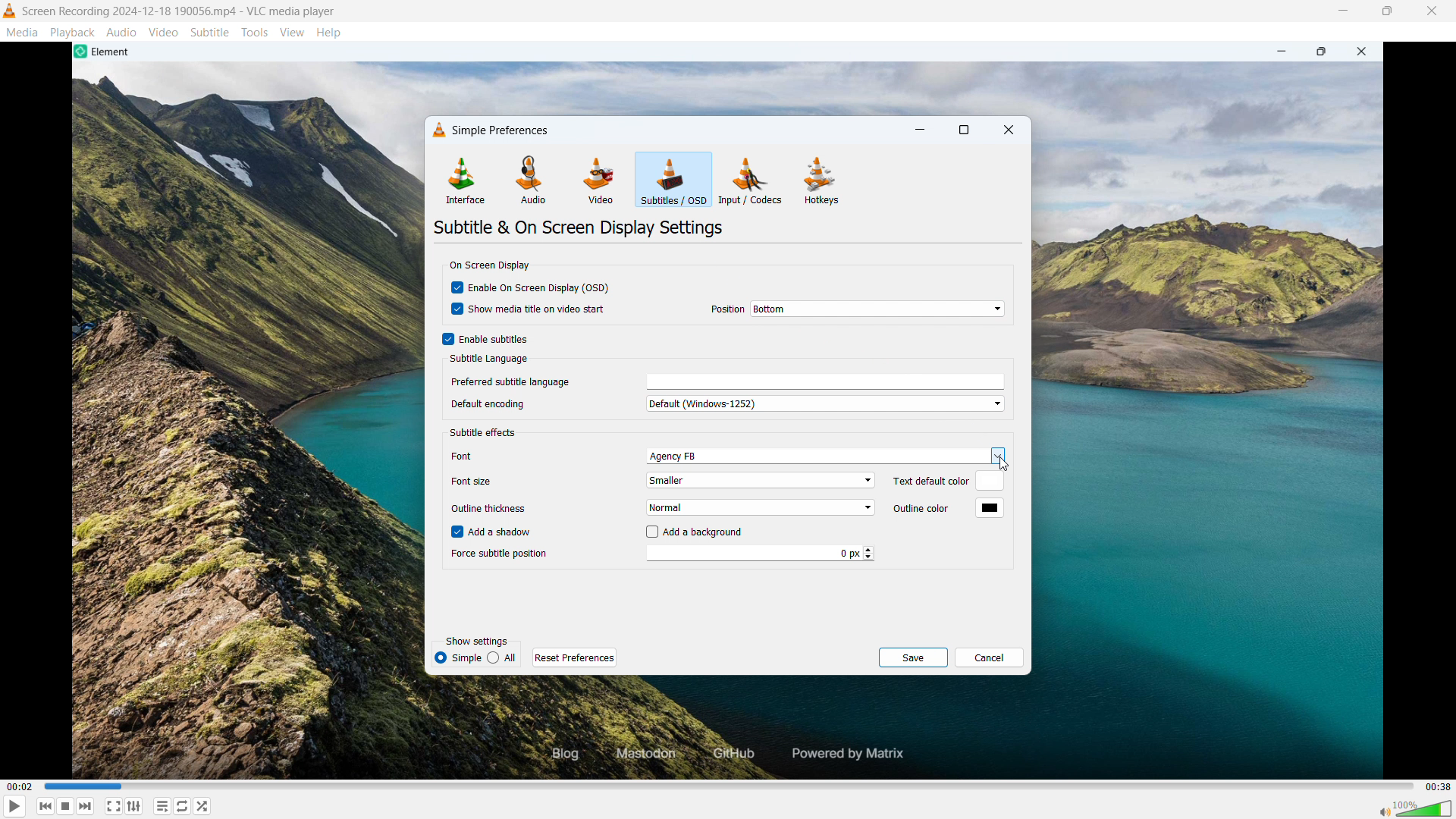 The image size is (1456, 819). Describe the element at coordinates (531, 180) in the screenshot. I see `audio` at that location.